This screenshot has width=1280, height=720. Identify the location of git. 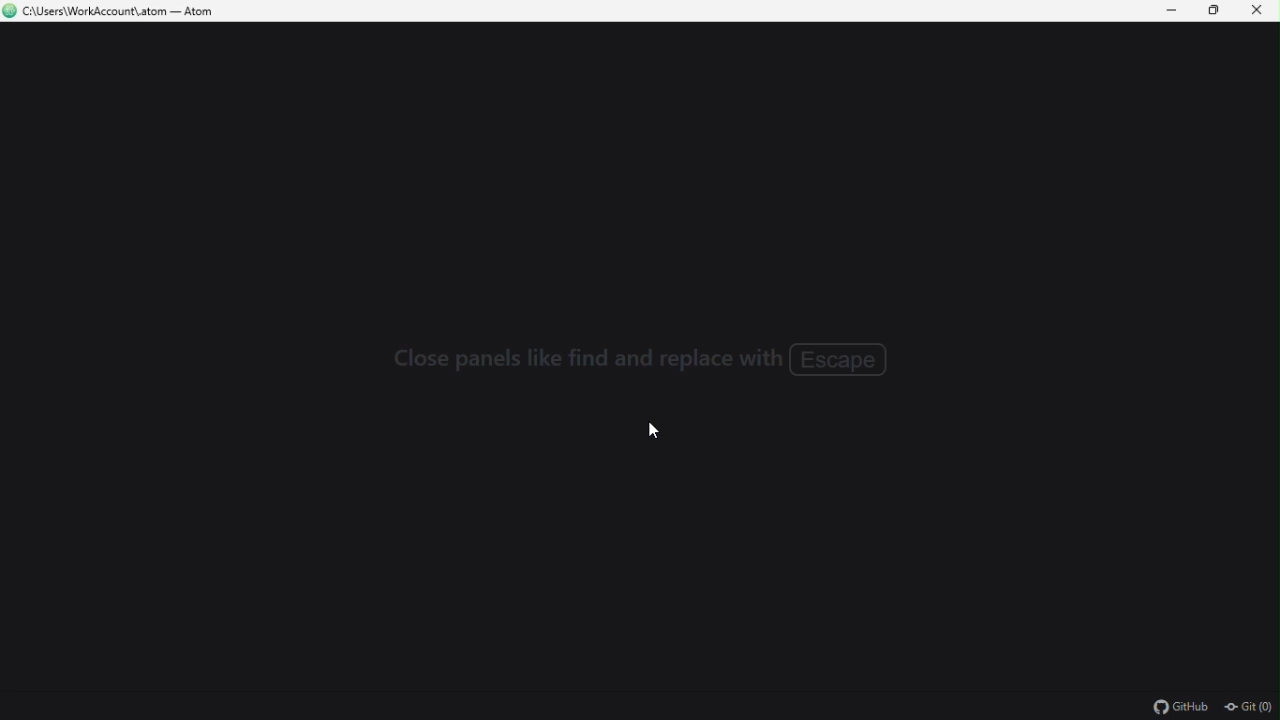
(1252, 708).